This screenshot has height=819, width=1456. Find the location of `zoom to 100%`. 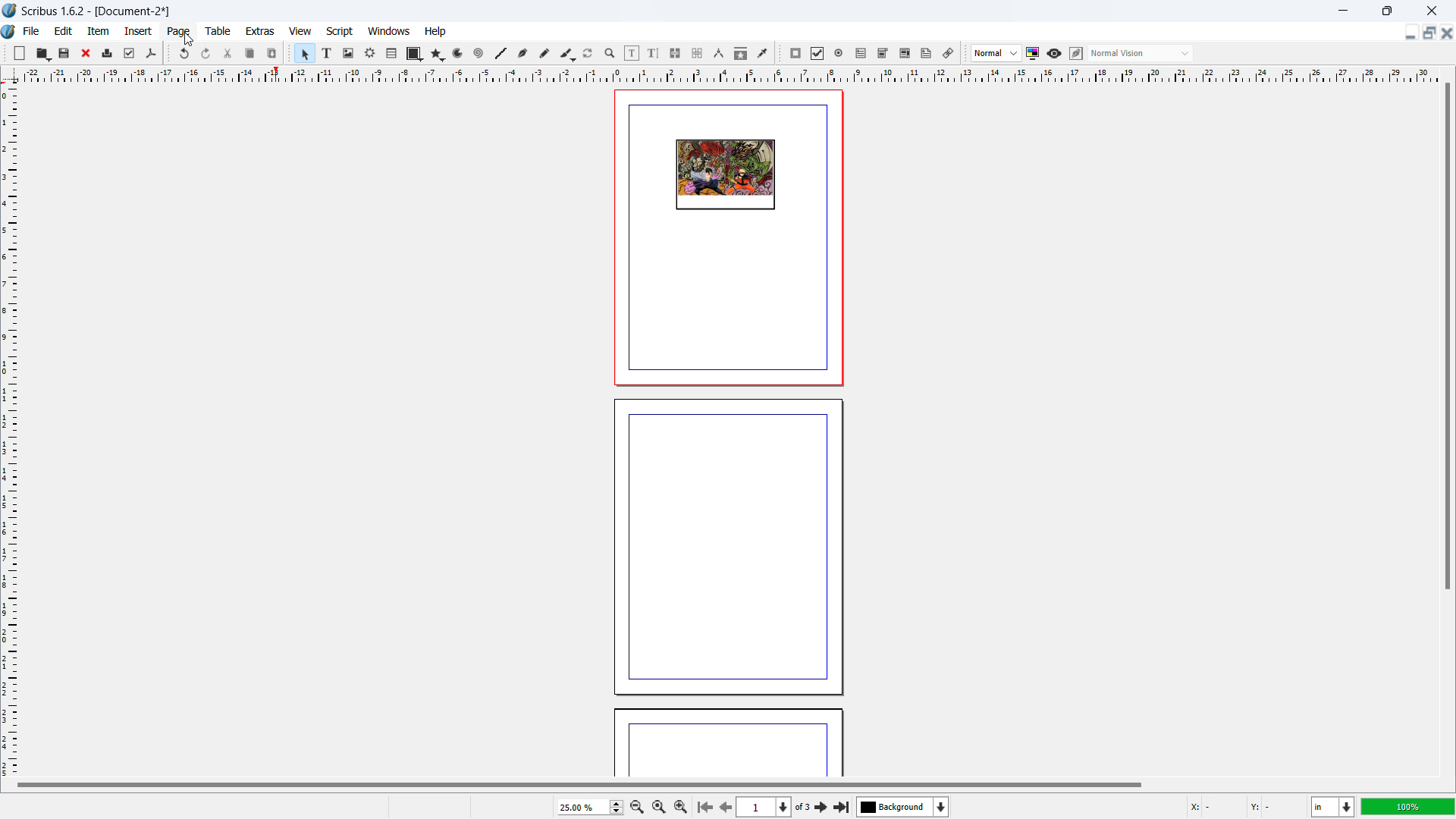

zoom to 100% is located at coordinates (658, 805).